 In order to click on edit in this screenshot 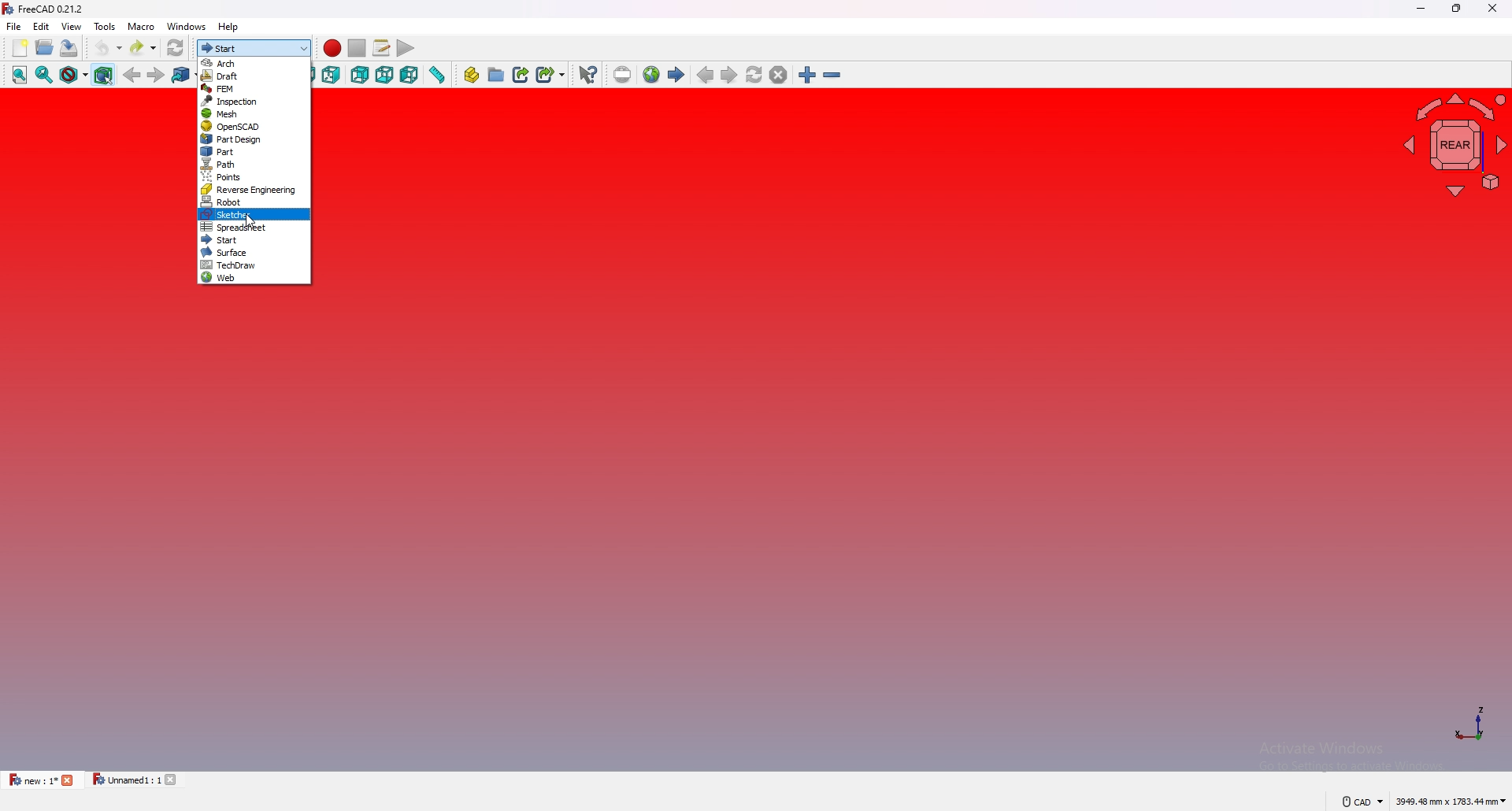, I will do `click(44, 26)`.